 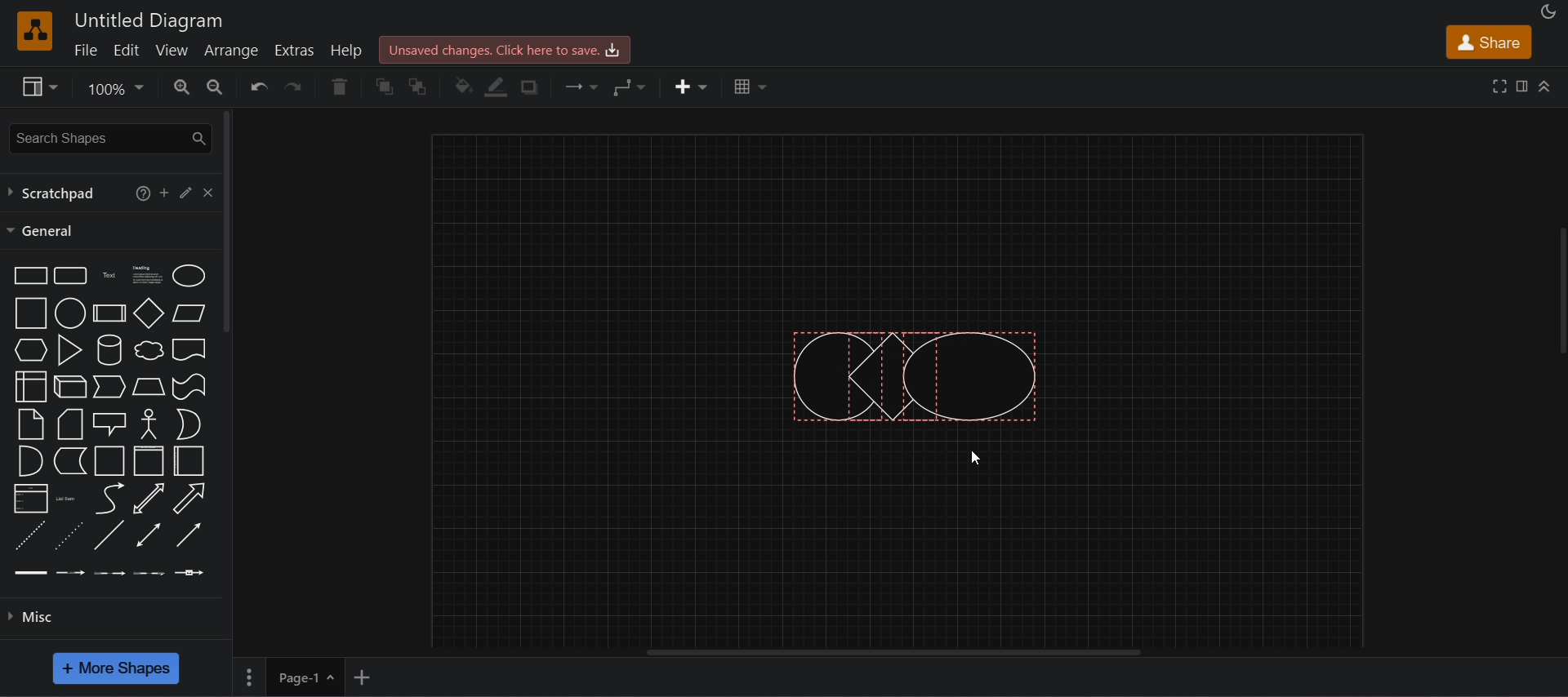 What do you see at coordinates (84, 49) in the screenshot?
I see `file` at bounding box center [84, 49].